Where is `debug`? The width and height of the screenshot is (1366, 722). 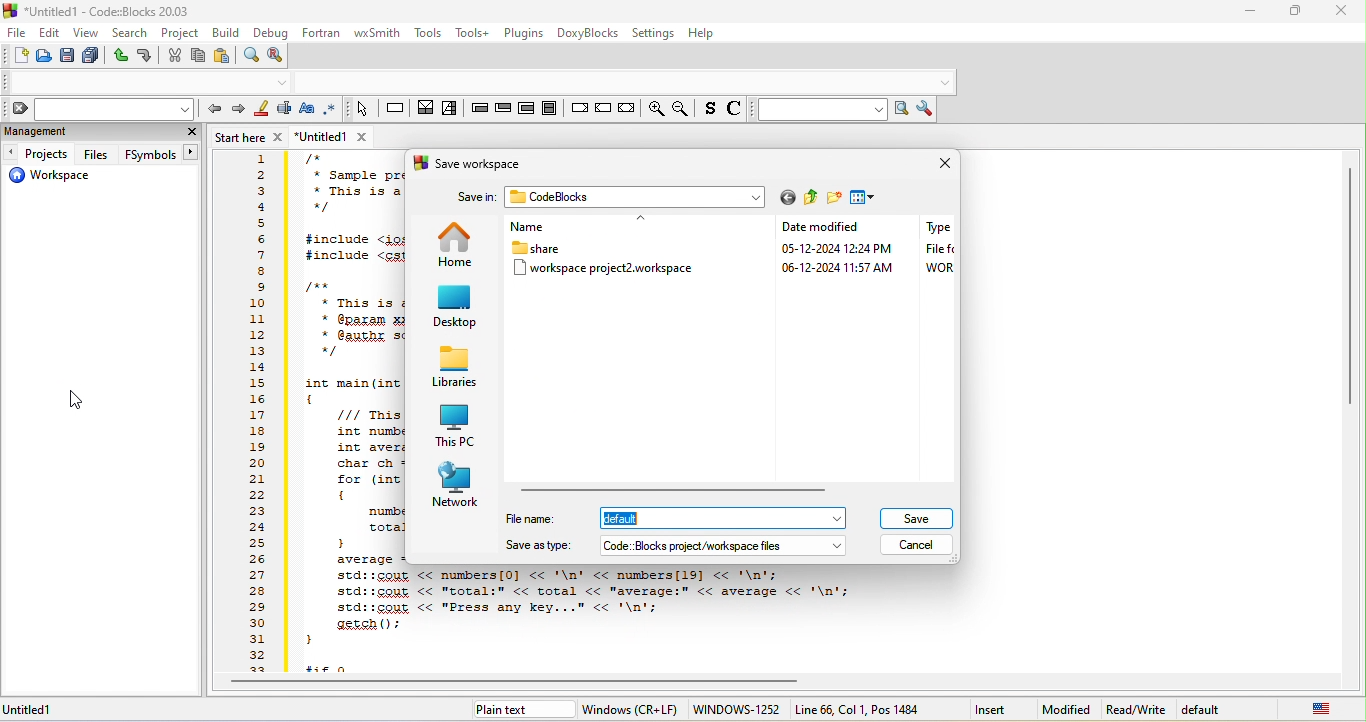
debug is located at coordinates (270, 34).